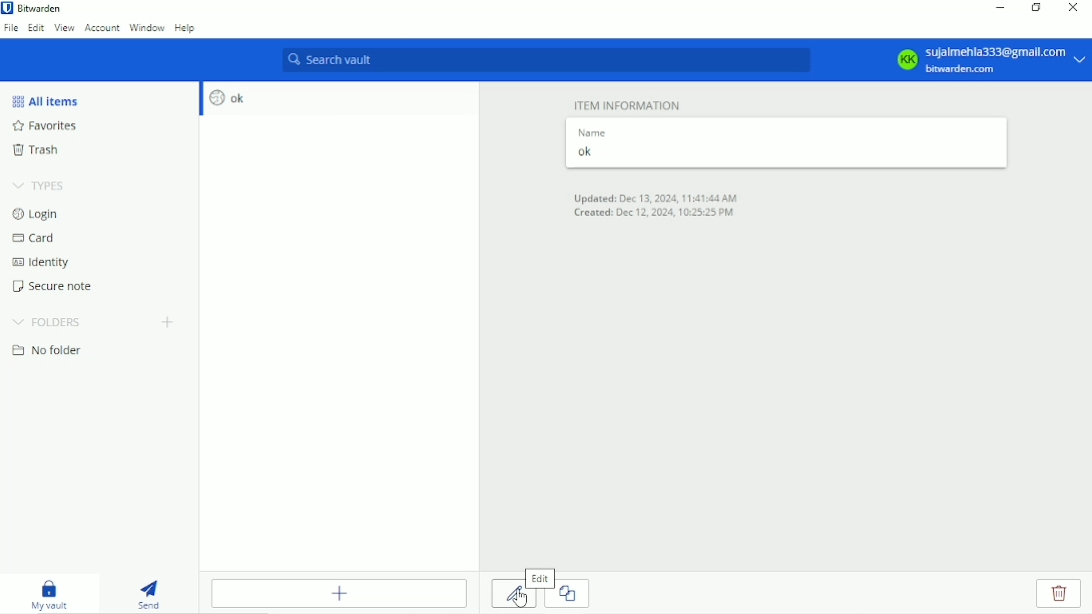  Describe the element at coordinates (147, 28) in the screenshot. I see `Window` at that location.